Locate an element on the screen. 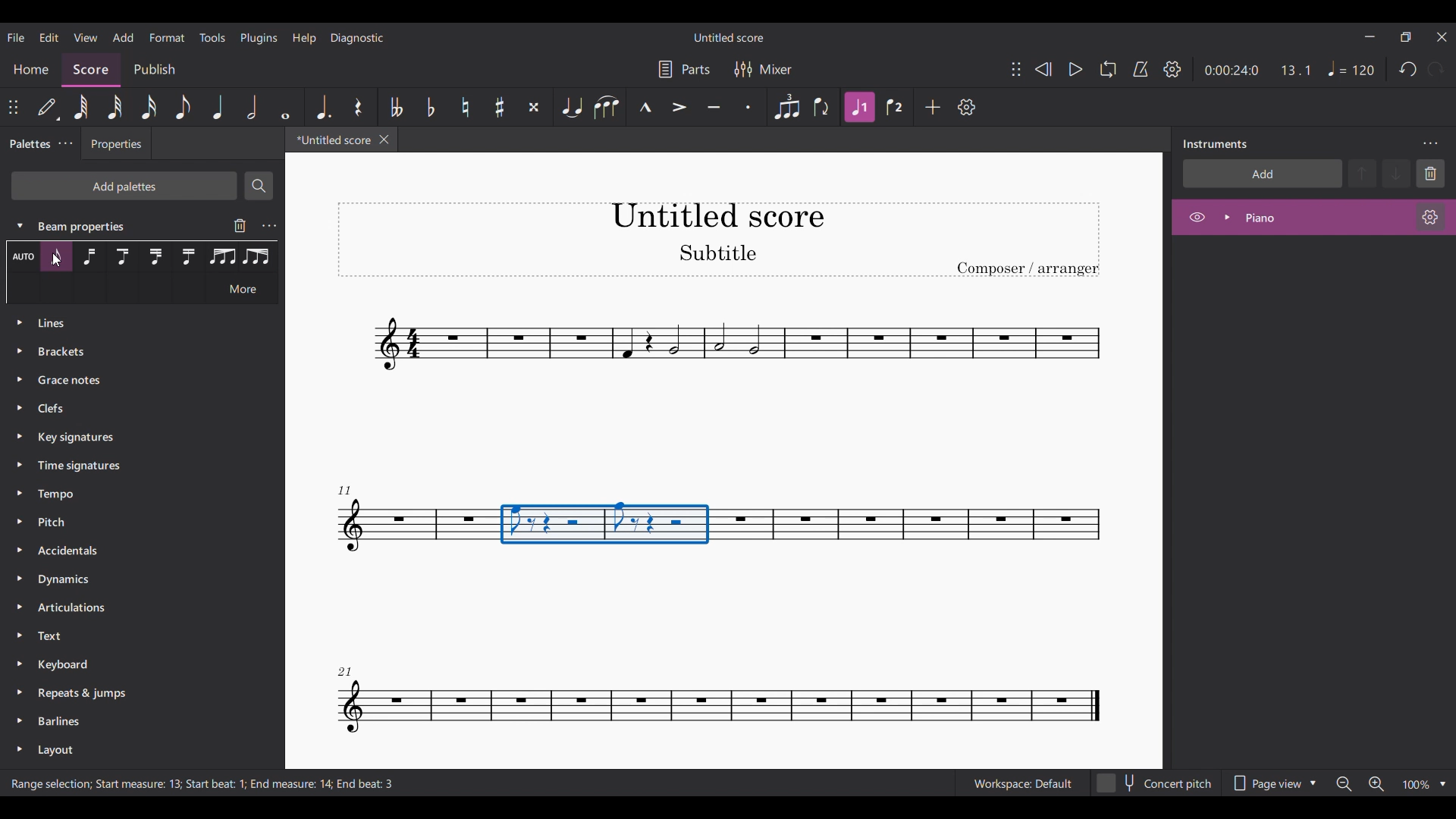  Change position of toolbar is located at coordinates (14, 107).